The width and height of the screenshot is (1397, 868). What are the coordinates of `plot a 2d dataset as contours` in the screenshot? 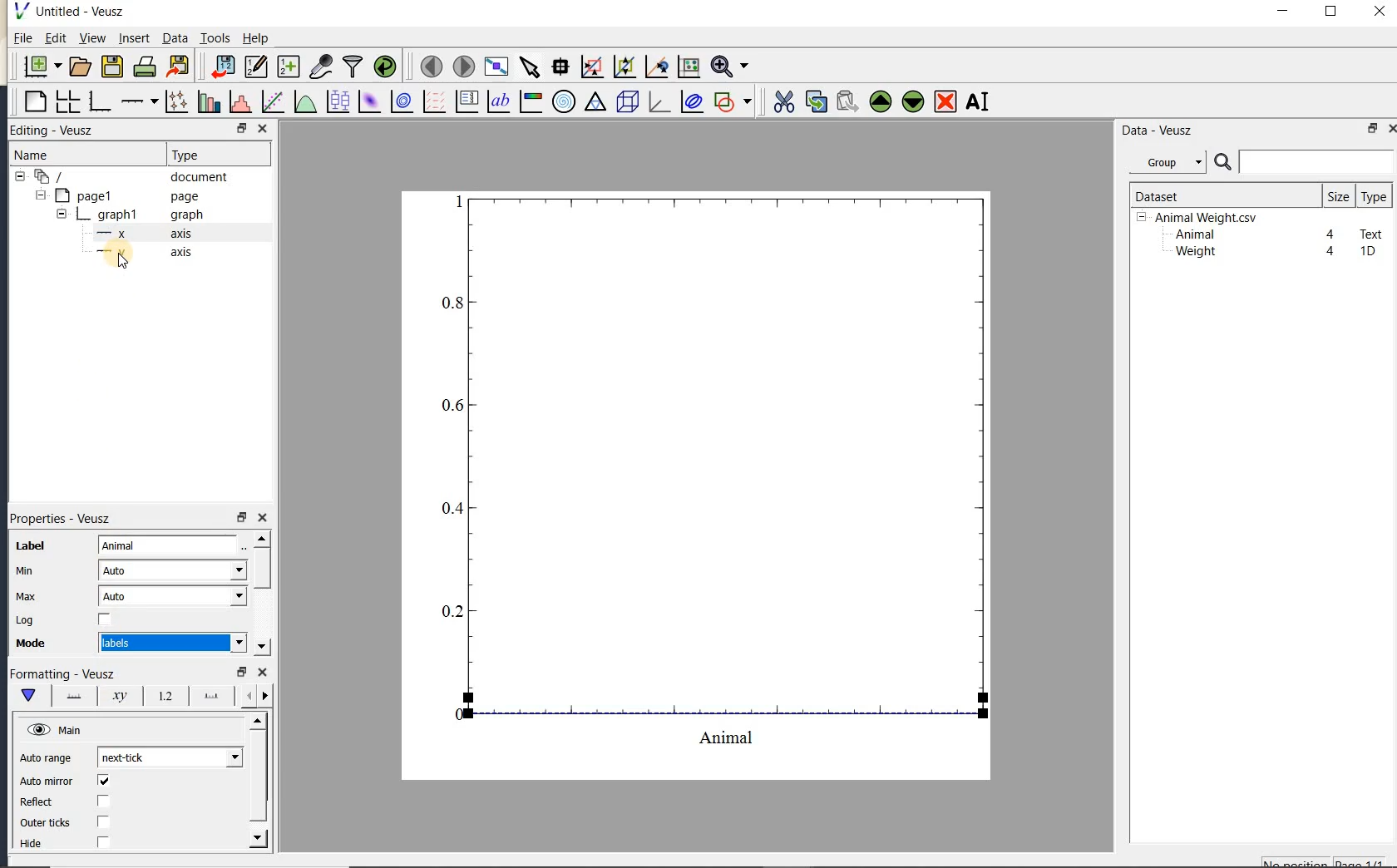 It's located at (400, 101).